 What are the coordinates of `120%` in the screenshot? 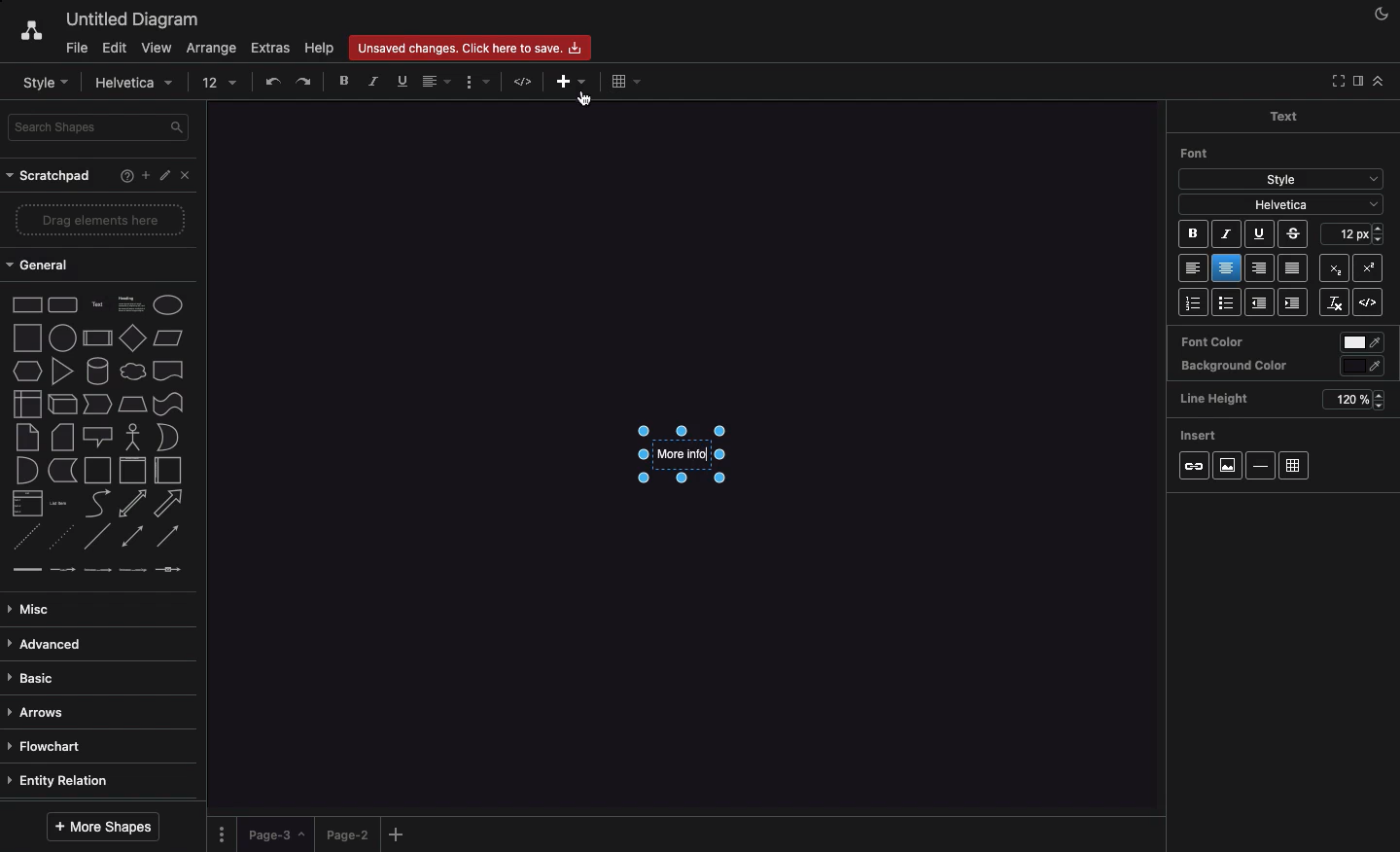 It's located at (1351, 401).